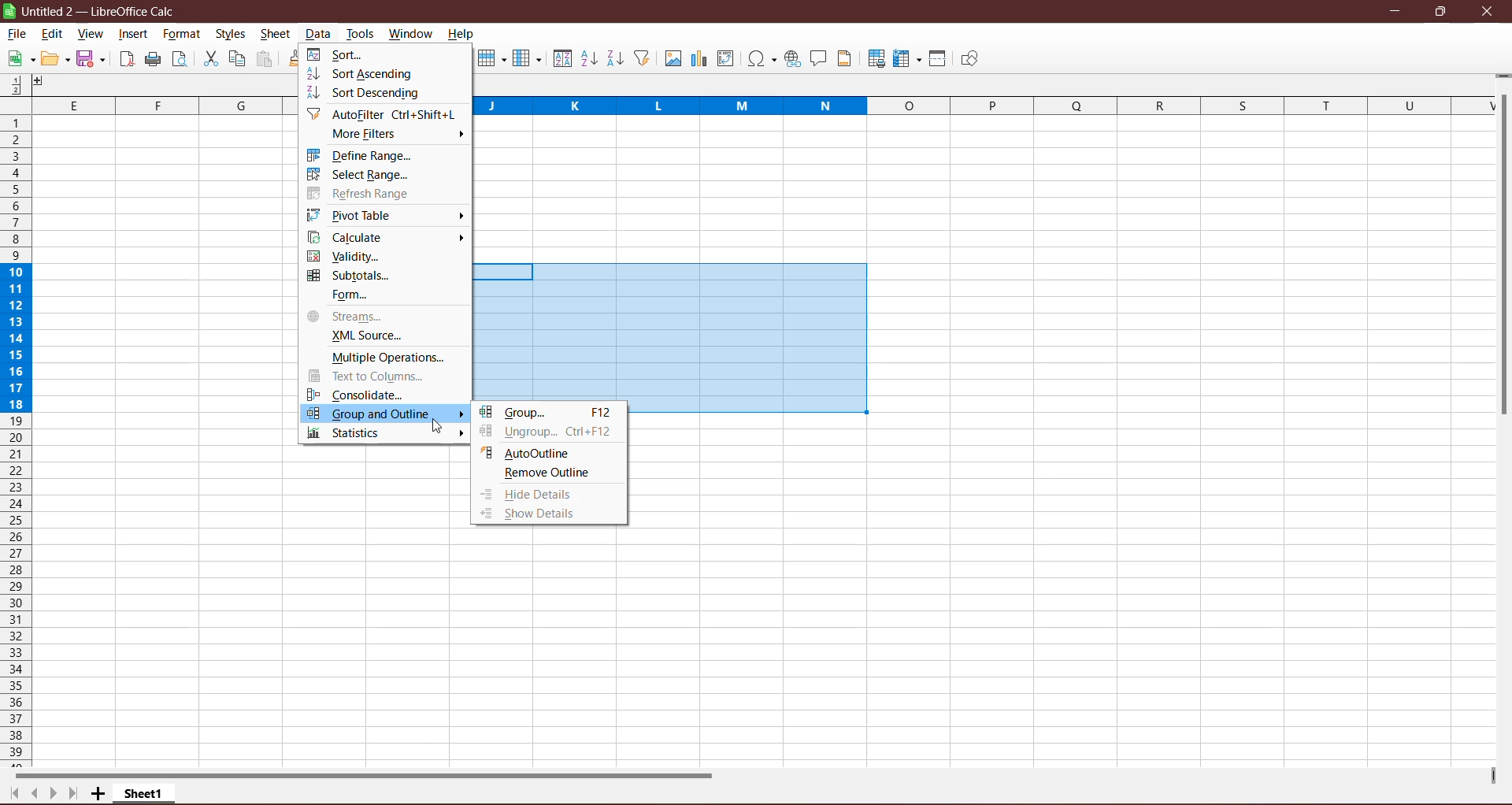  What do you see at coordinates (461, 35) in the screenshot?
I see `Help` at bounding box center [461, 35].